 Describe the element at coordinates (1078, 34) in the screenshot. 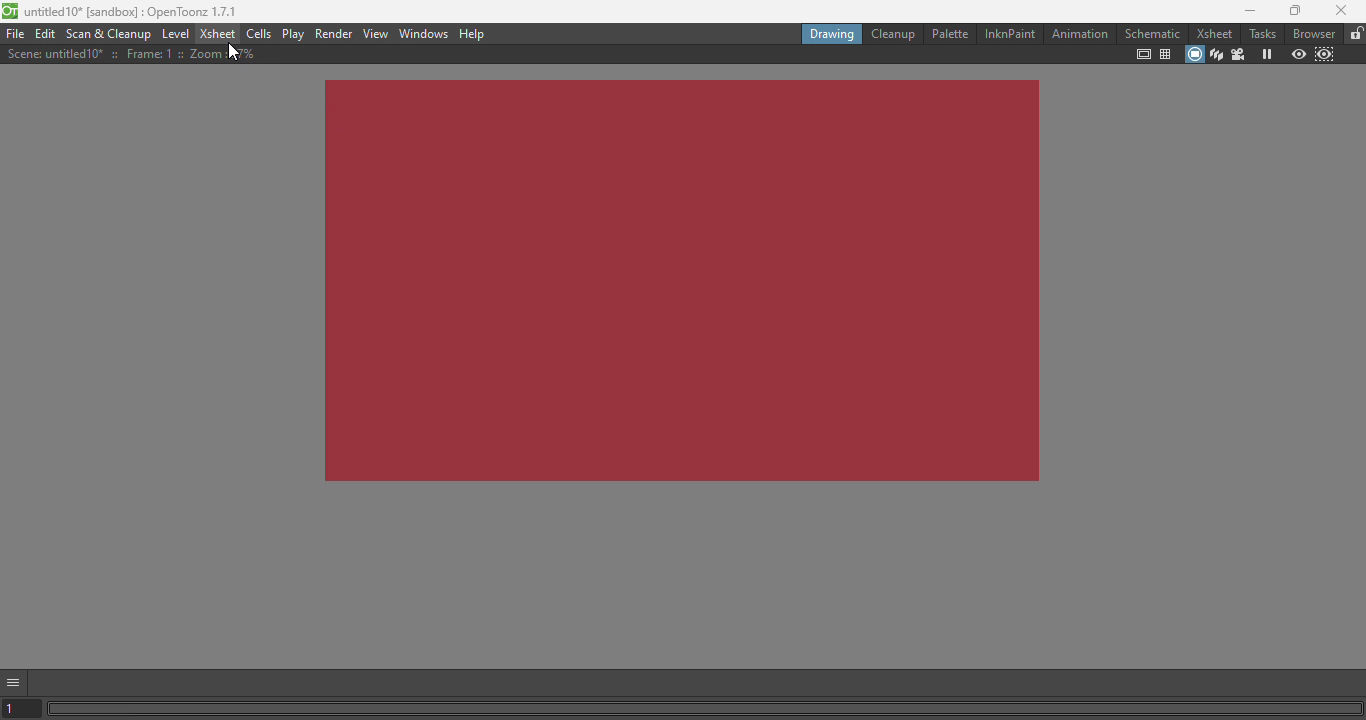

I see `Animation` at that location.